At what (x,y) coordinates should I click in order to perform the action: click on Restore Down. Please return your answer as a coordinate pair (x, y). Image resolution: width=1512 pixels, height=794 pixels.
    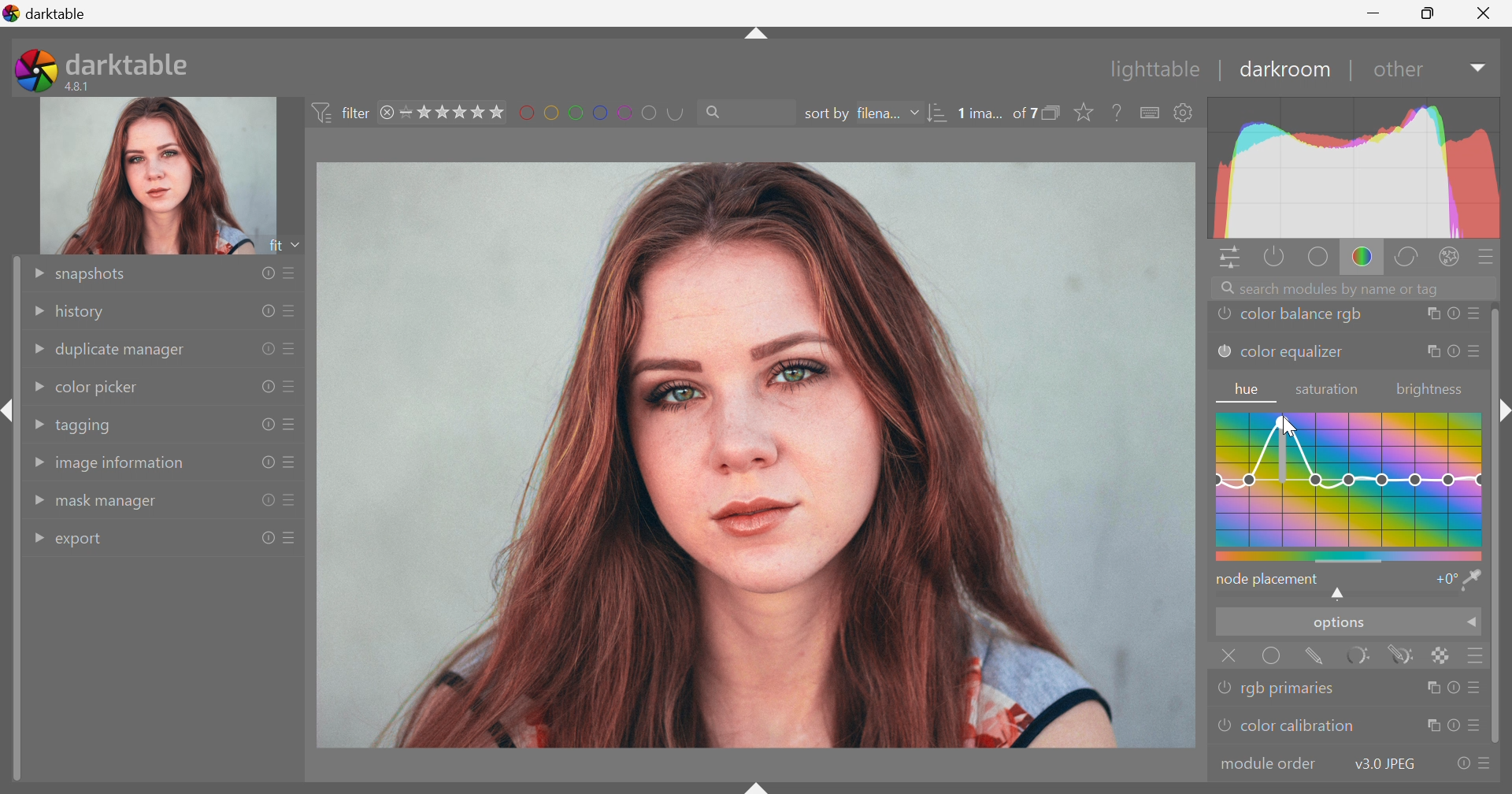
    Looking at the image, I should click on (1430, 15).